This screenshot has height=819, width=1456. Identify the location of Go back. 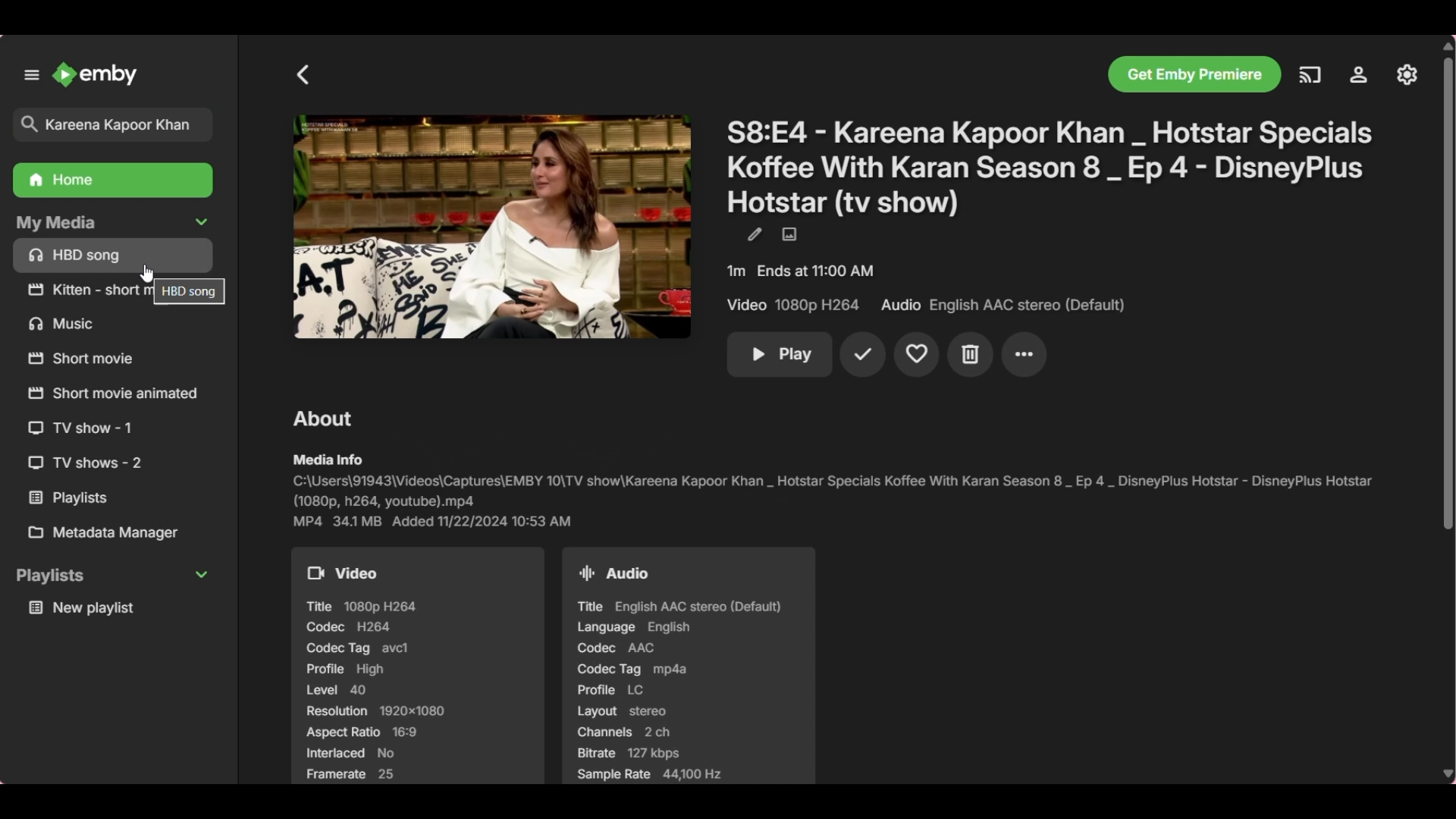
(303, 74).